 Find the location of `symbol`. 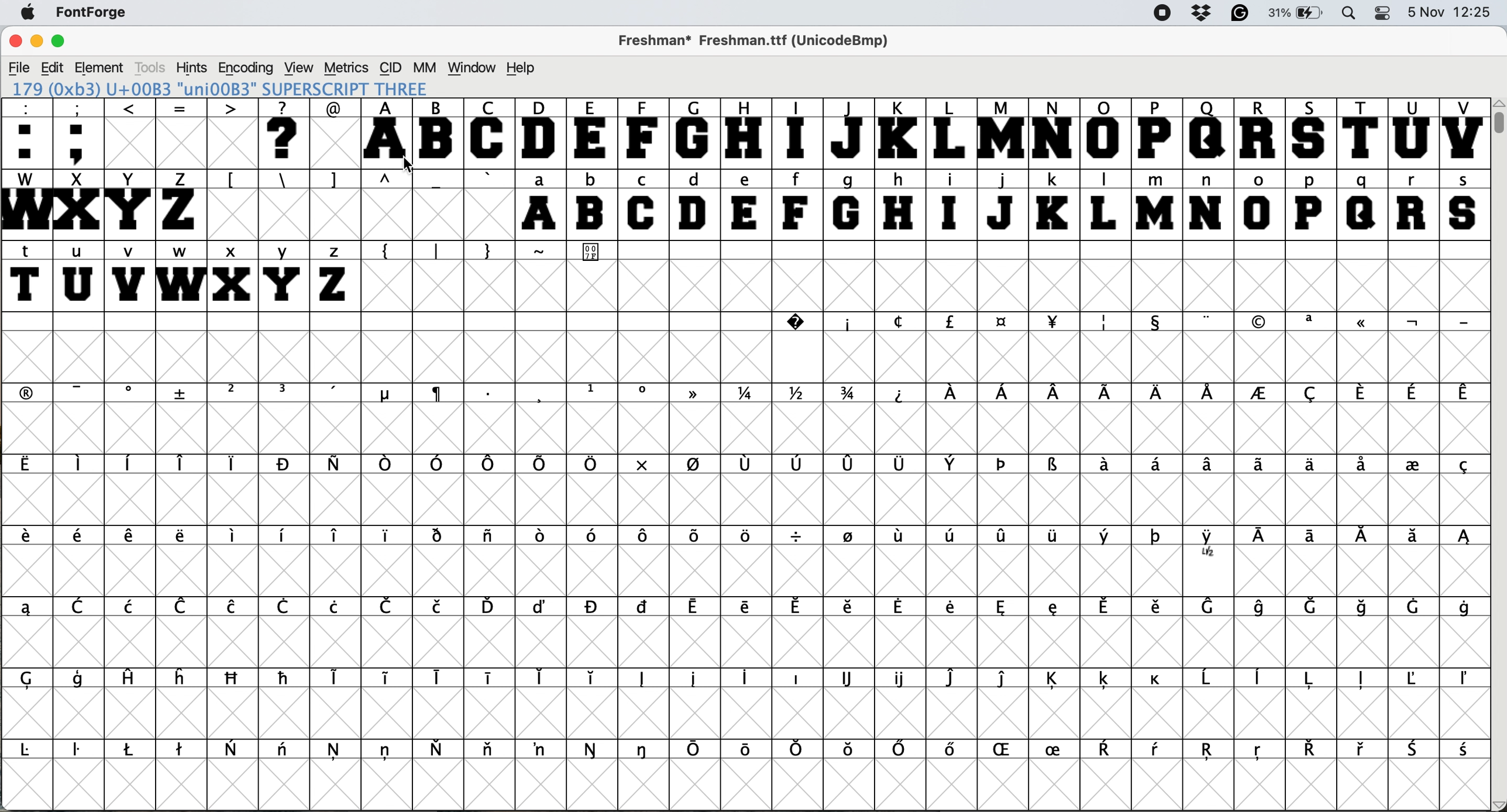

symbol is located at coordinates (646, 394).